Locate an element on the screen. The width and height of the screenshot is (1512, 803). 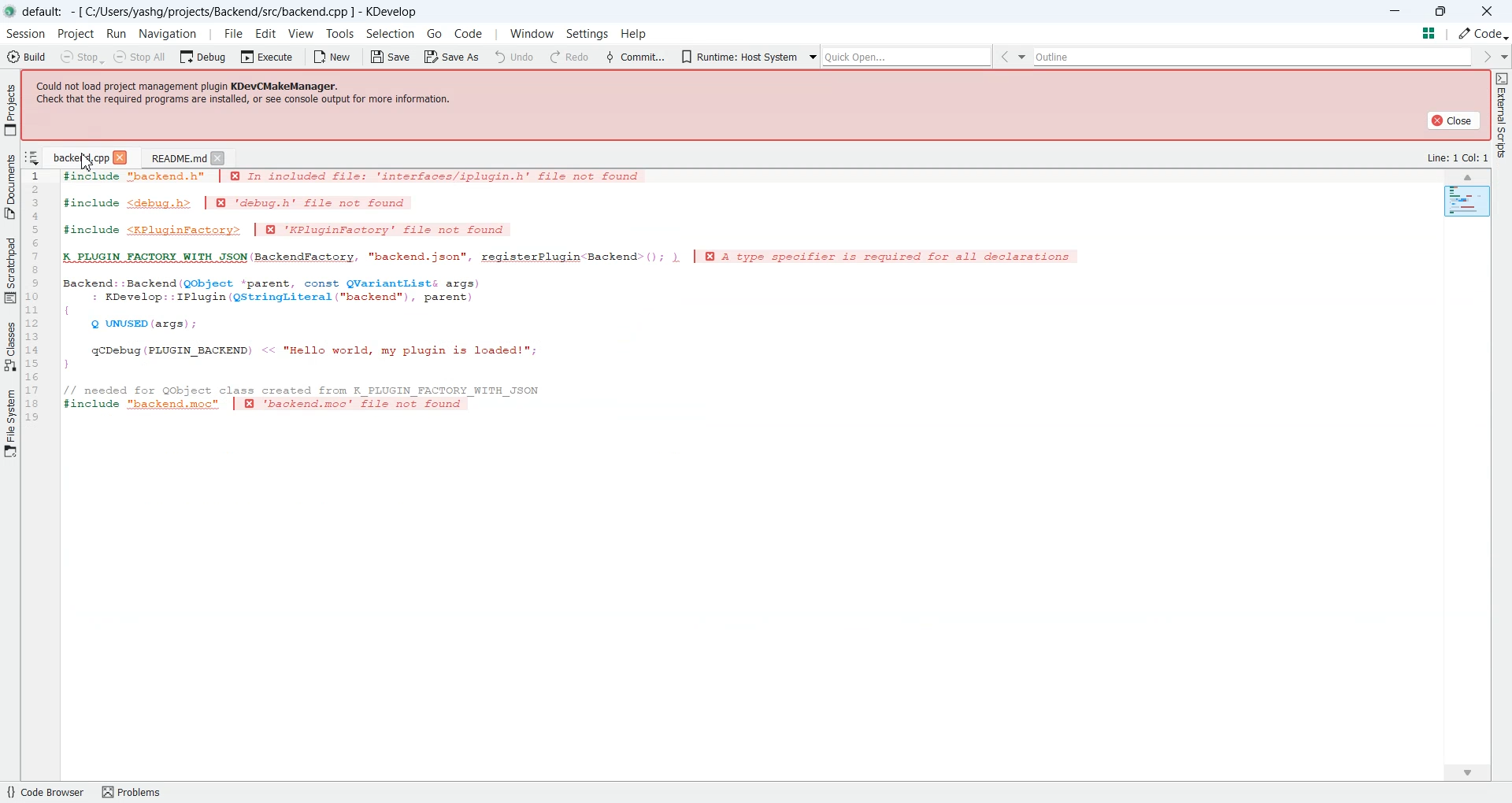
Navigation is located at coordinates (170, 34).